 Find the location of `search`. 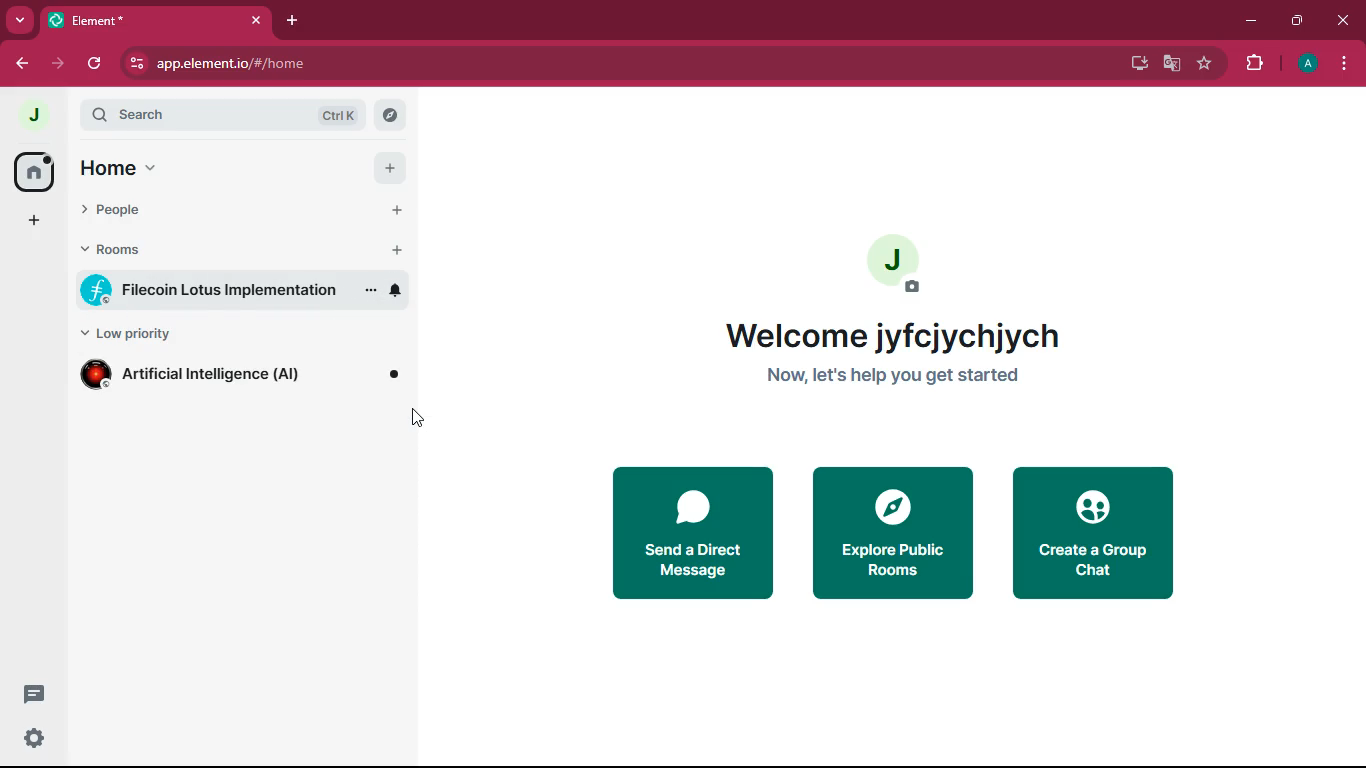

search is located at coordinates (219, 116).